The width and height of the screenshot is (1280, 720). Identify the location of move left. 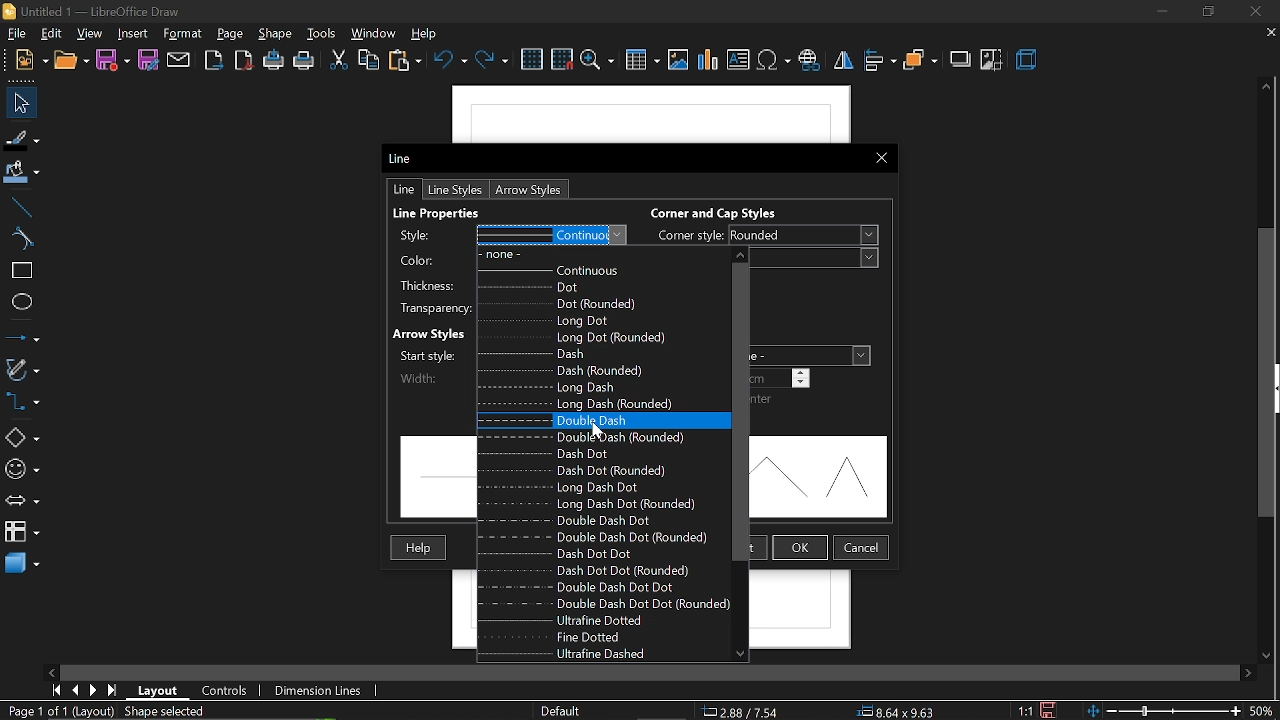
(51, 673).